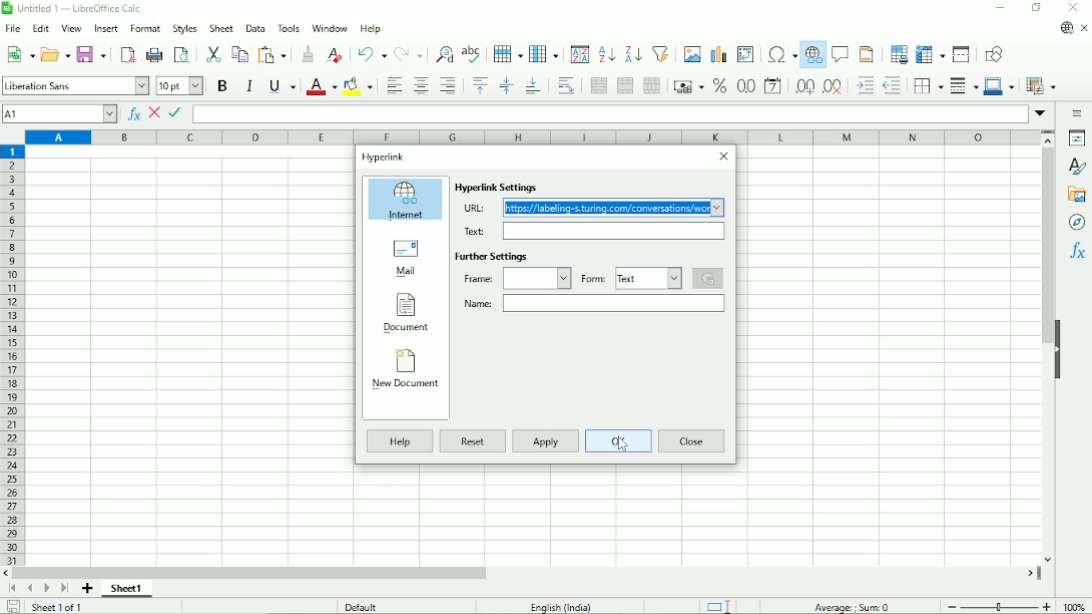 This screenshot has width=1092, height=614. I want to click on Hide, so click(1059, 352).